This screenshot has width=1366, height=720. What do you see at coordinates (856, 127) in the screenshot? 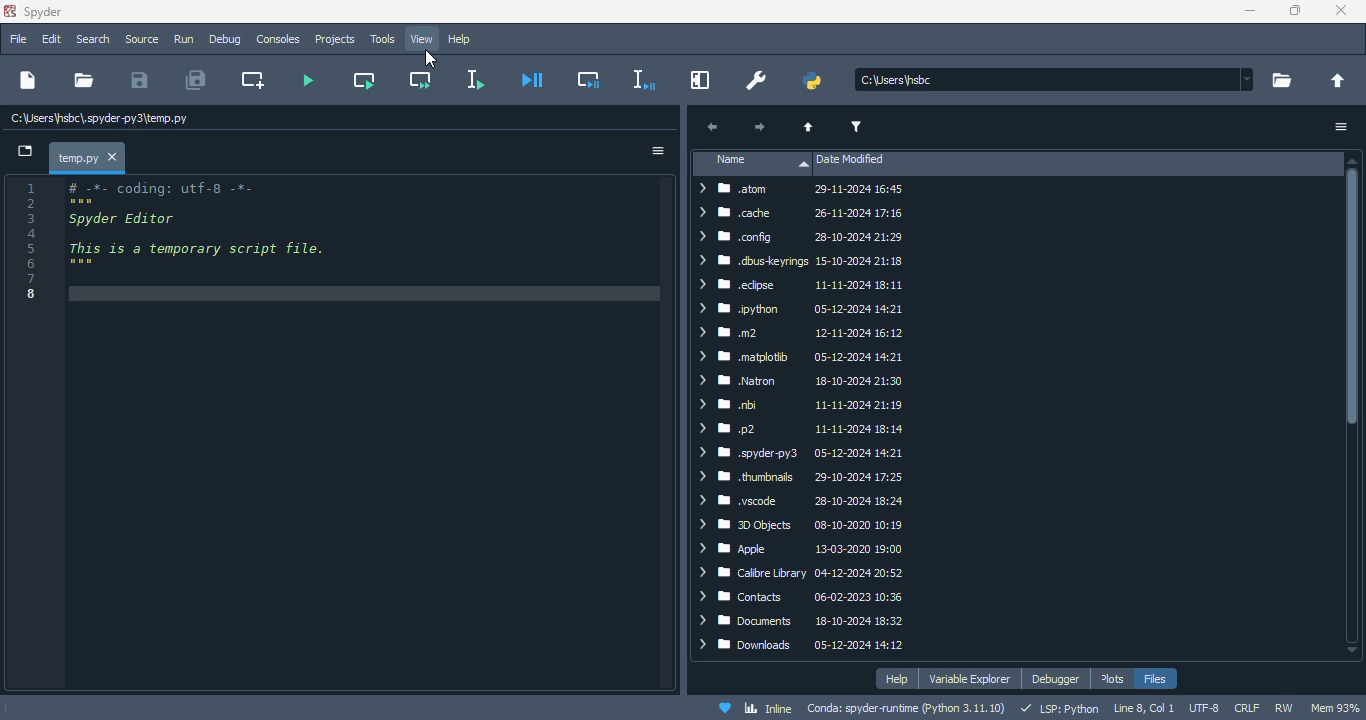
I see `filter` at bounding box center [856, 127].